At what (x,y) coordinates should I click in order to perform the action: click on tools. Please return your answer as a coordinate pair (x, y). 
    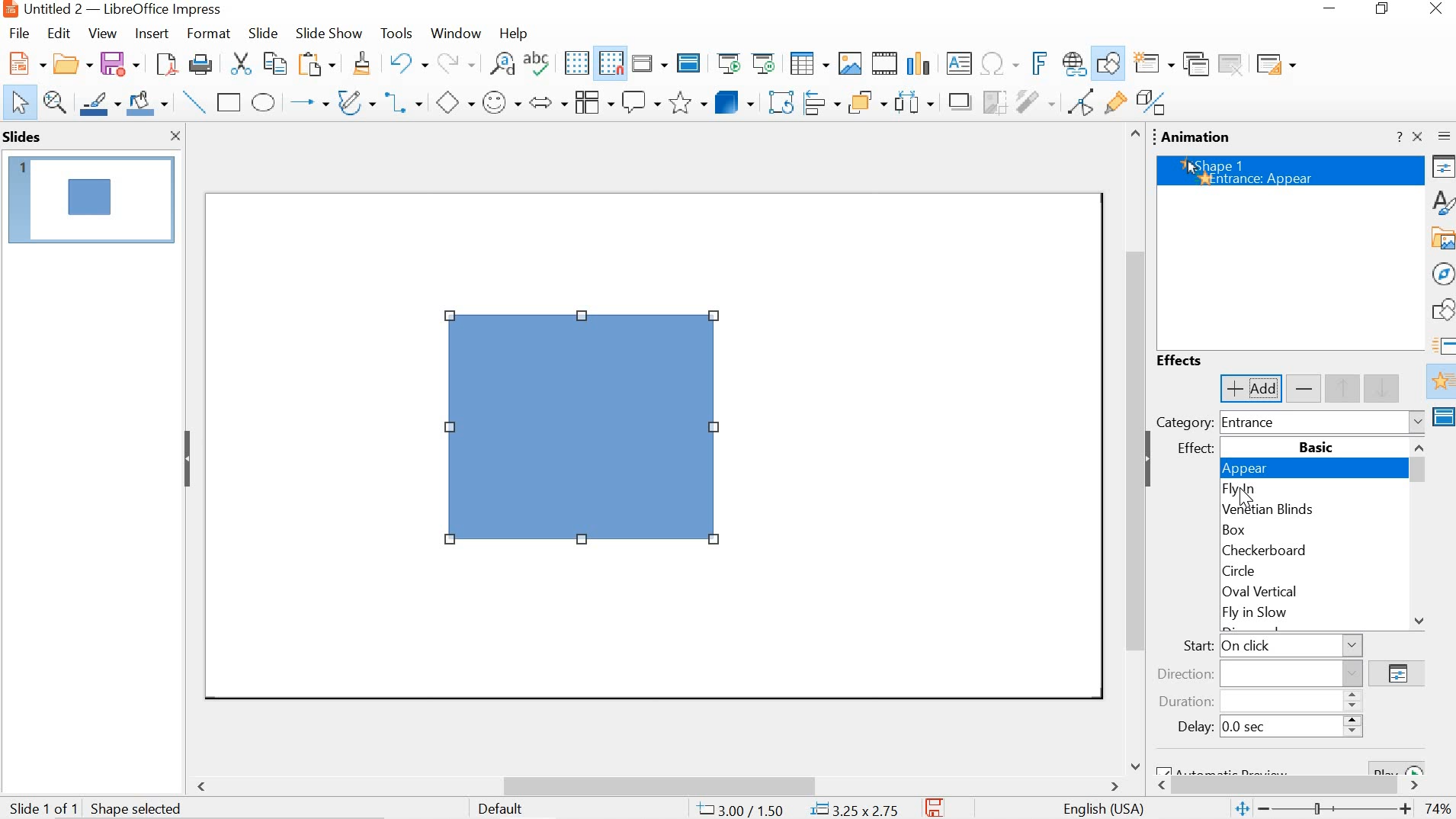
    Looking at the image, I should click on (398, 32).